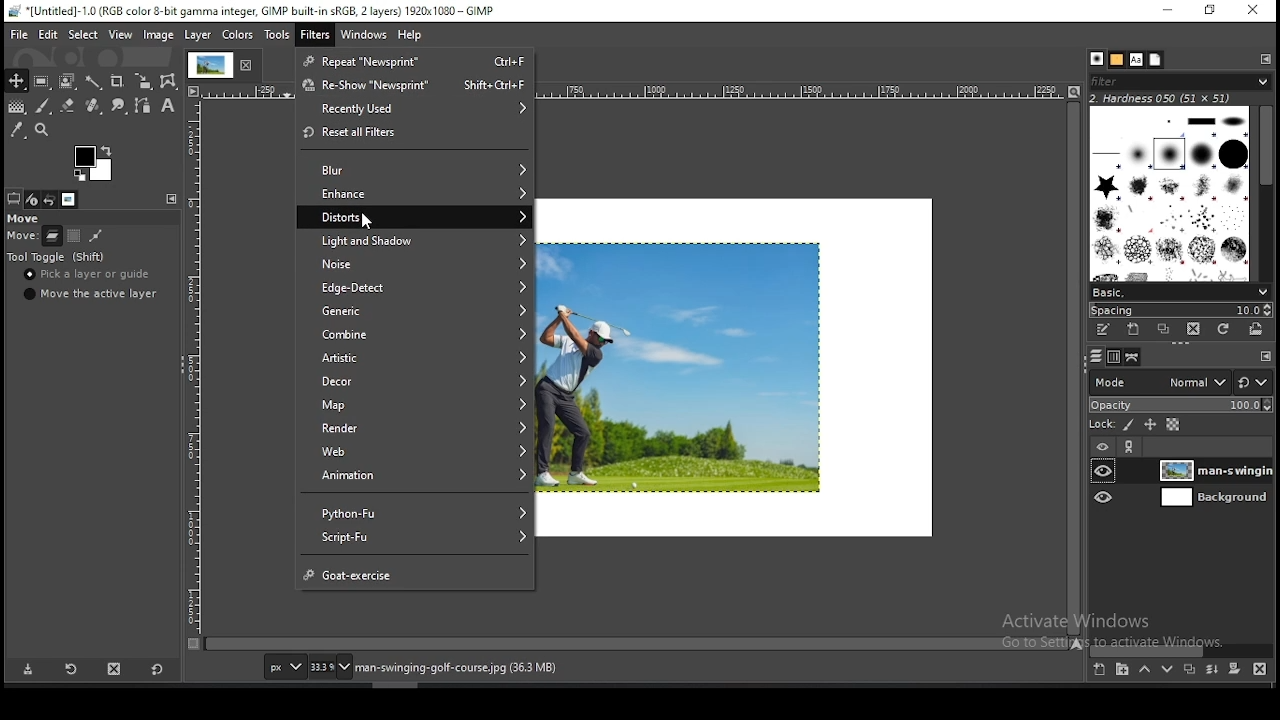 This screenshot has height=720, width=1280. I want to click on add a mask, so click(1236, 669).